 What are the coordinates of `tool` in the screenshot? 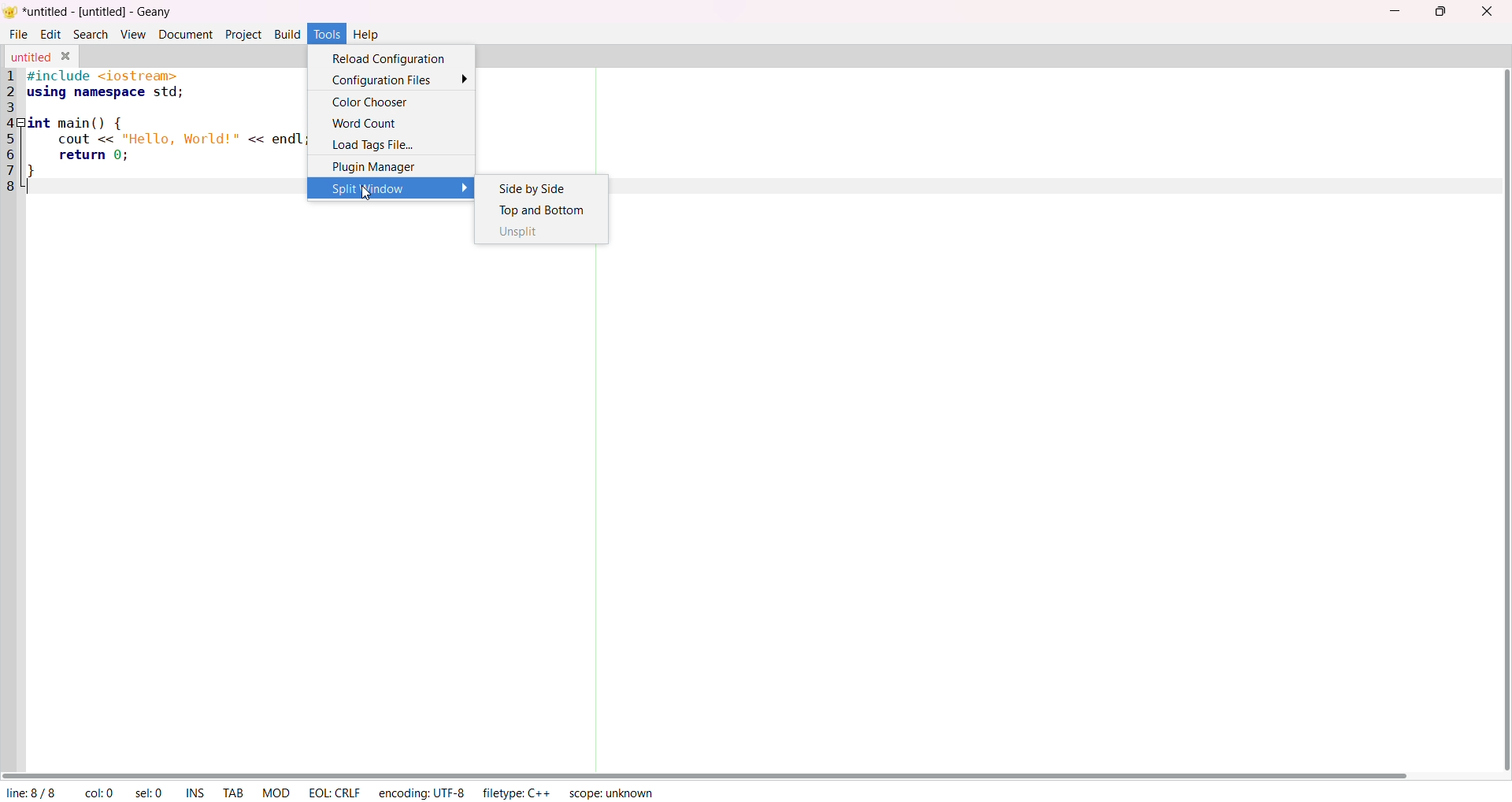 It's located at (326, 33).